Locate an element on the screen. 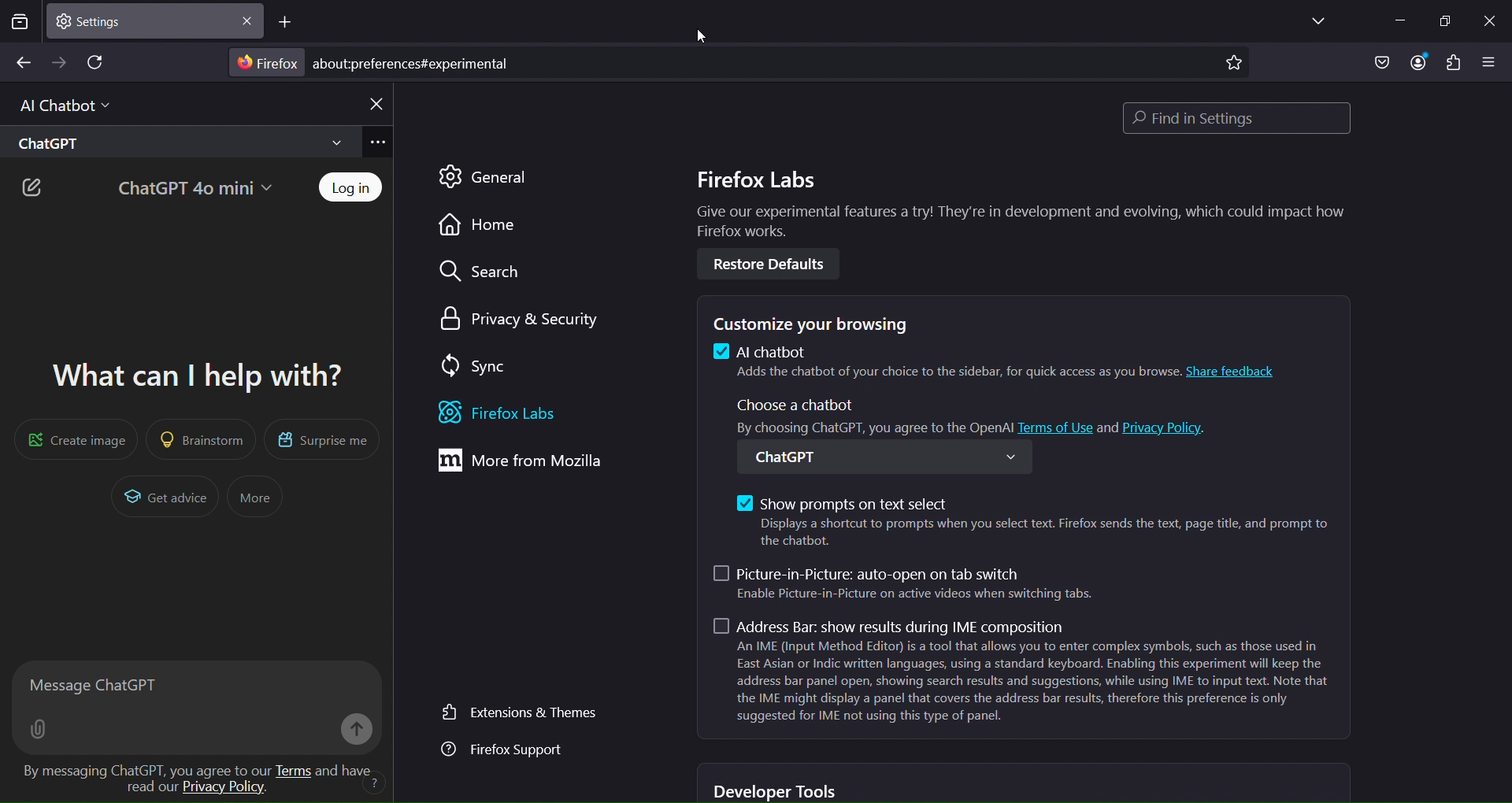 The width and height of the screenshot is (1512, 803). share feedback is located at coordinates (1238, 371).